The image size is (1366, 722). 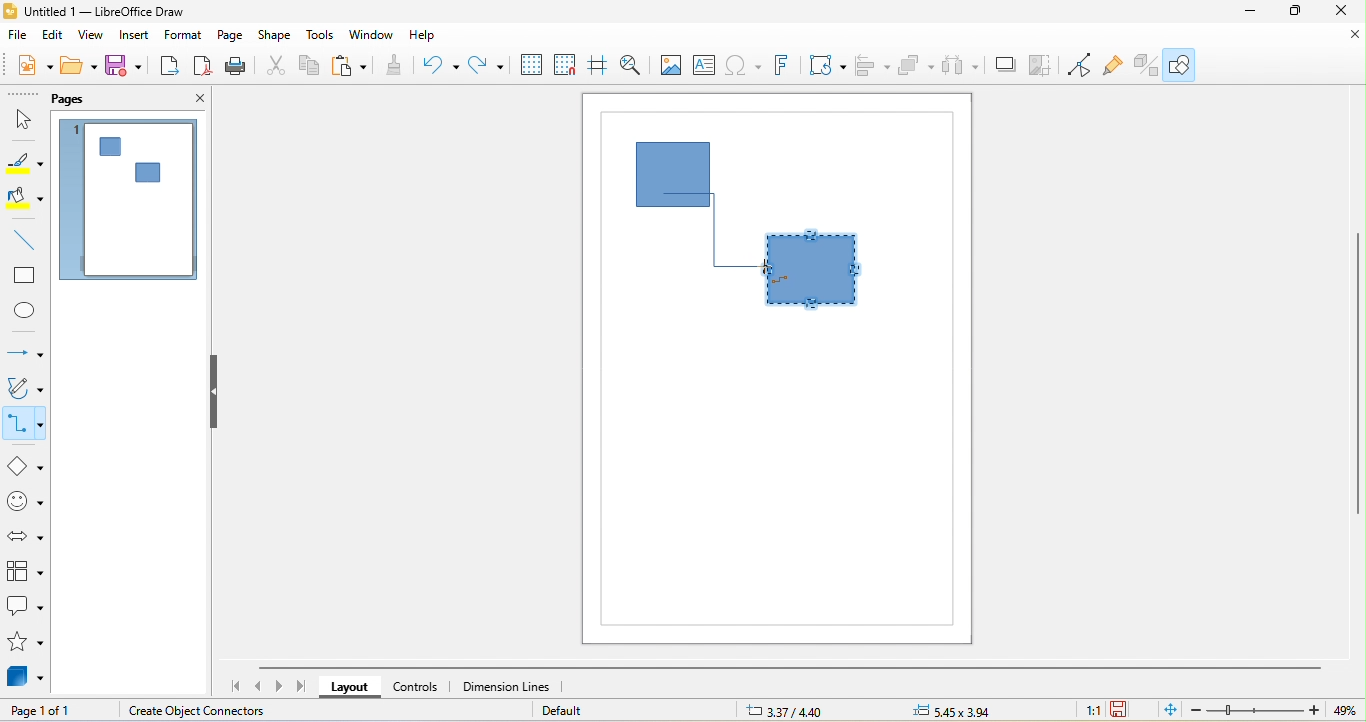 What do you see at coordinates (23, 117) in the screenshot?
I see `select` at bounding box center [23, 117].